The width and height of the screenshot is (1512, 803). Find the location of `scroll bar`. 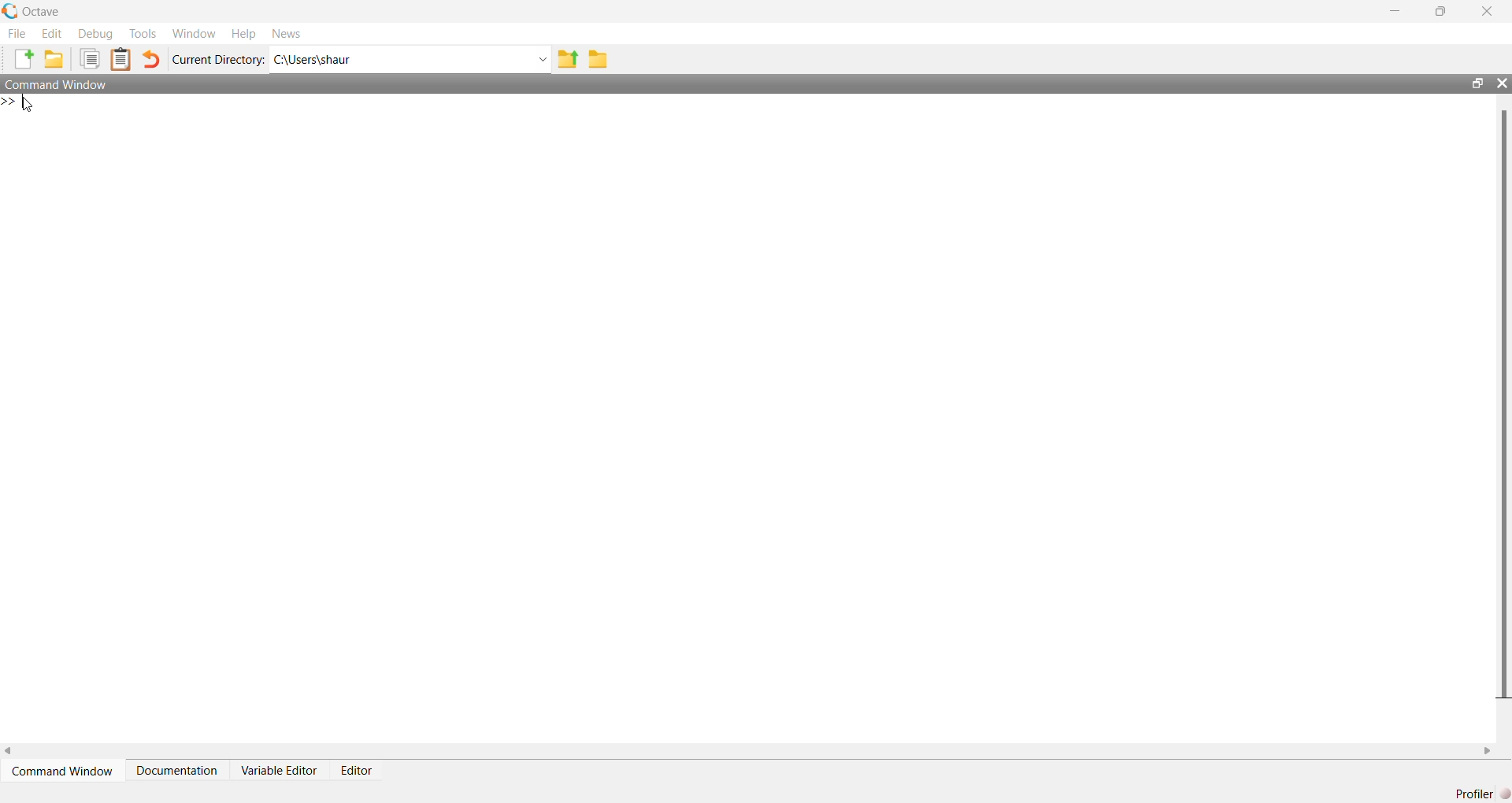

scroll bar is located at coordinates (1504, 402).